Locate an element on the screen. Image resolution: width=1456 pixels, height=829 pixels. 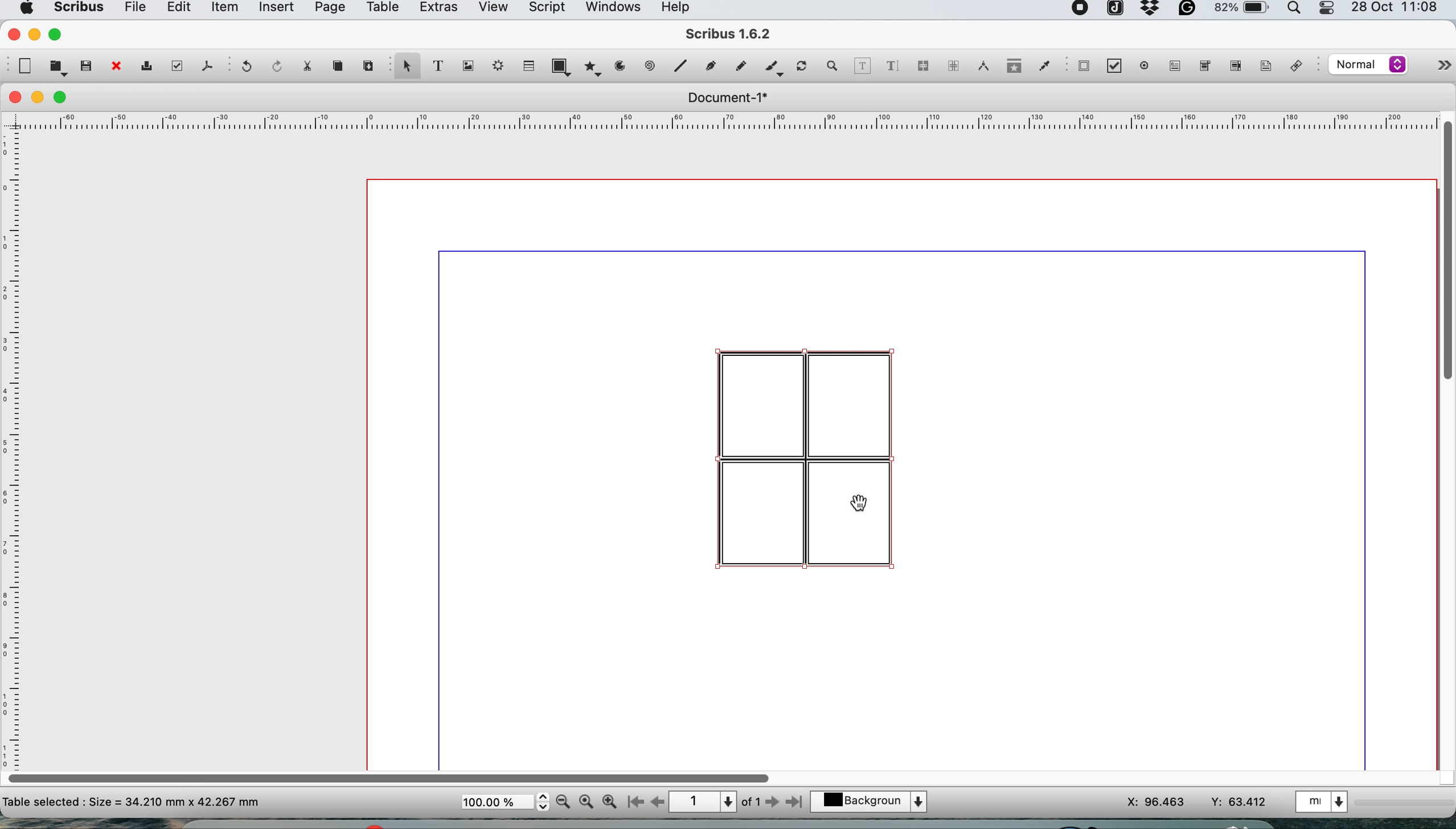
link text frames is located at coordinates (922, 68).